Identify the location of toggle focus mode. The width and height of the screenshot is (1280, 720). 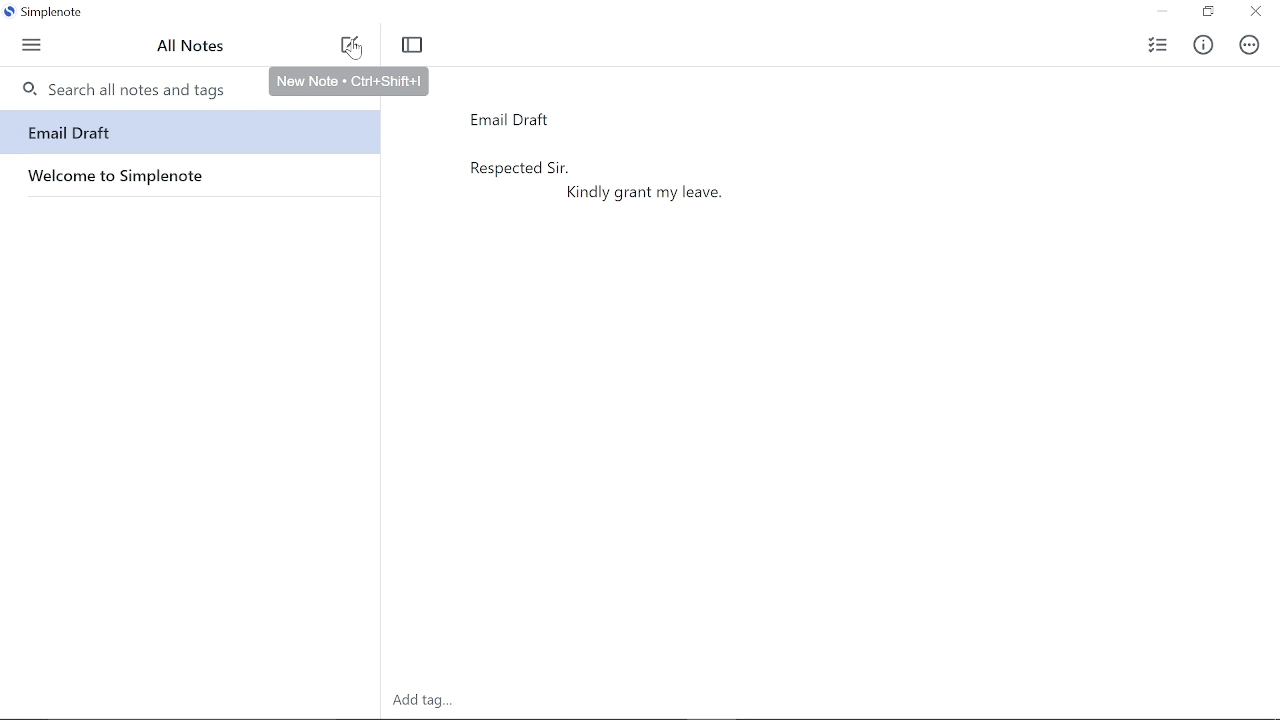
(414, 44).